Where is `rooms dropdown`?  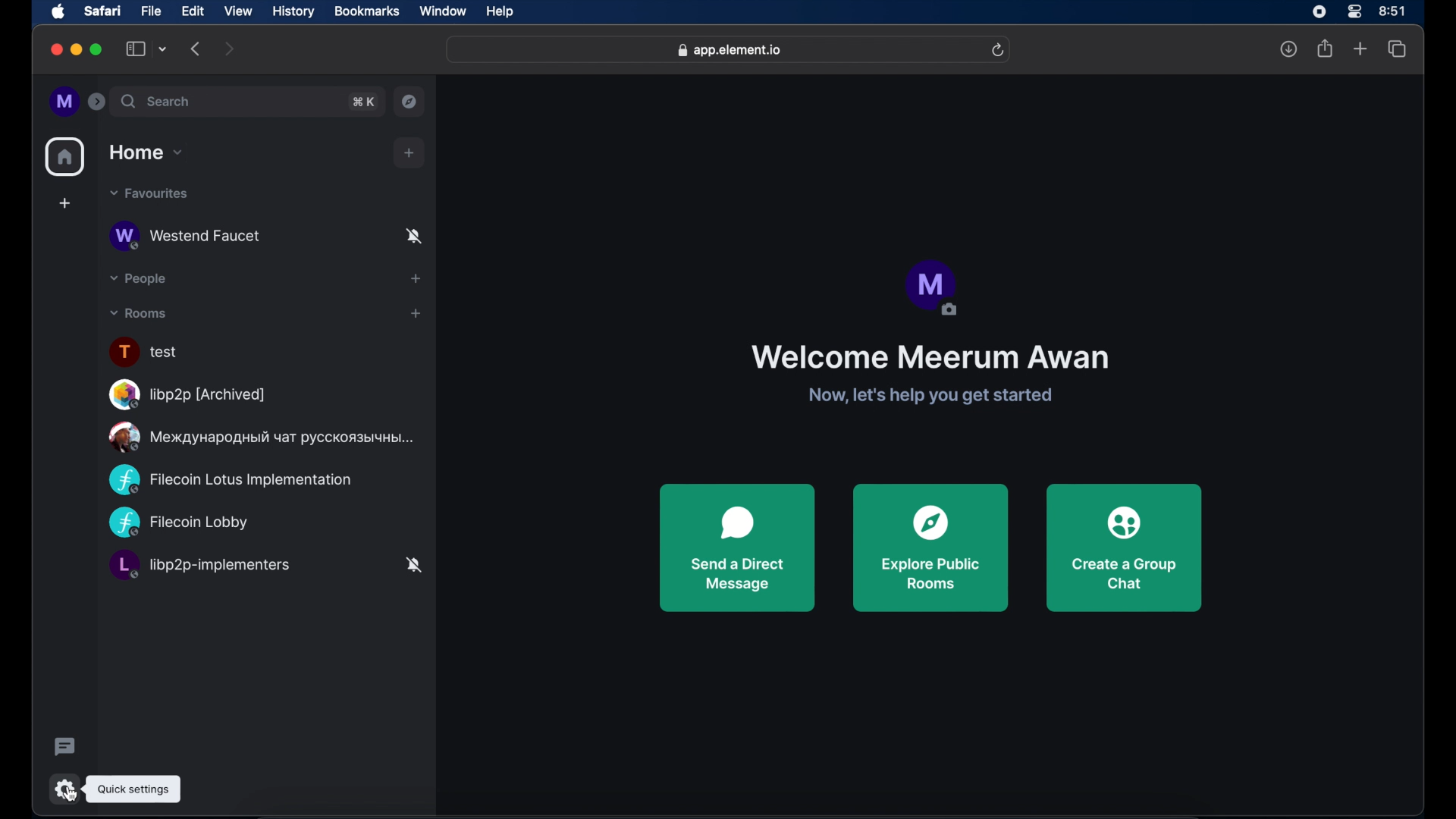 rooms dropdown is located at coordinates (139, 314).